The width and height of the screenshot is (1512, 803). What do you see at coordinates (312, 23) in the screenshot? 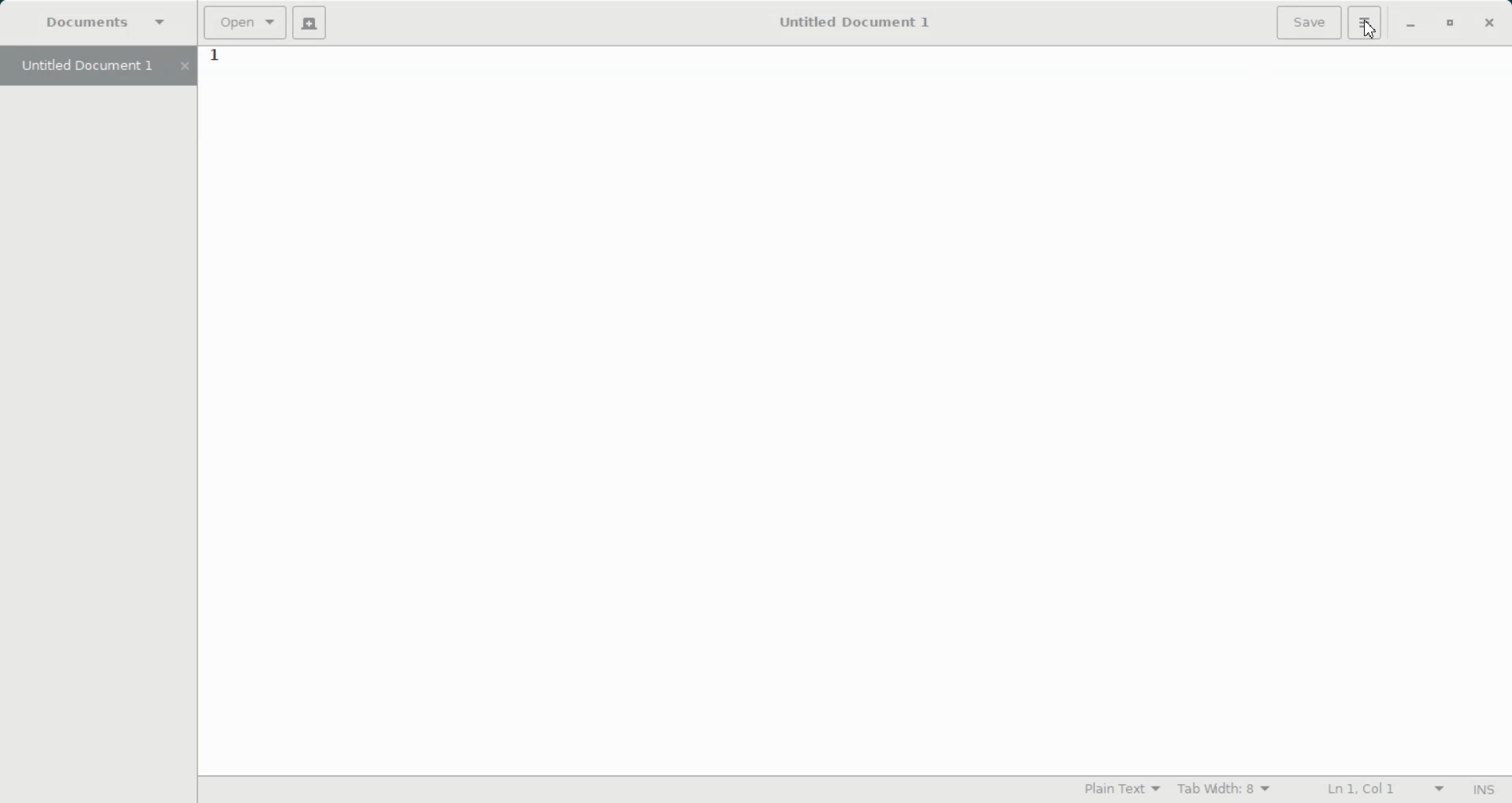
I see `Create a document` at bounding box center [312, 23].